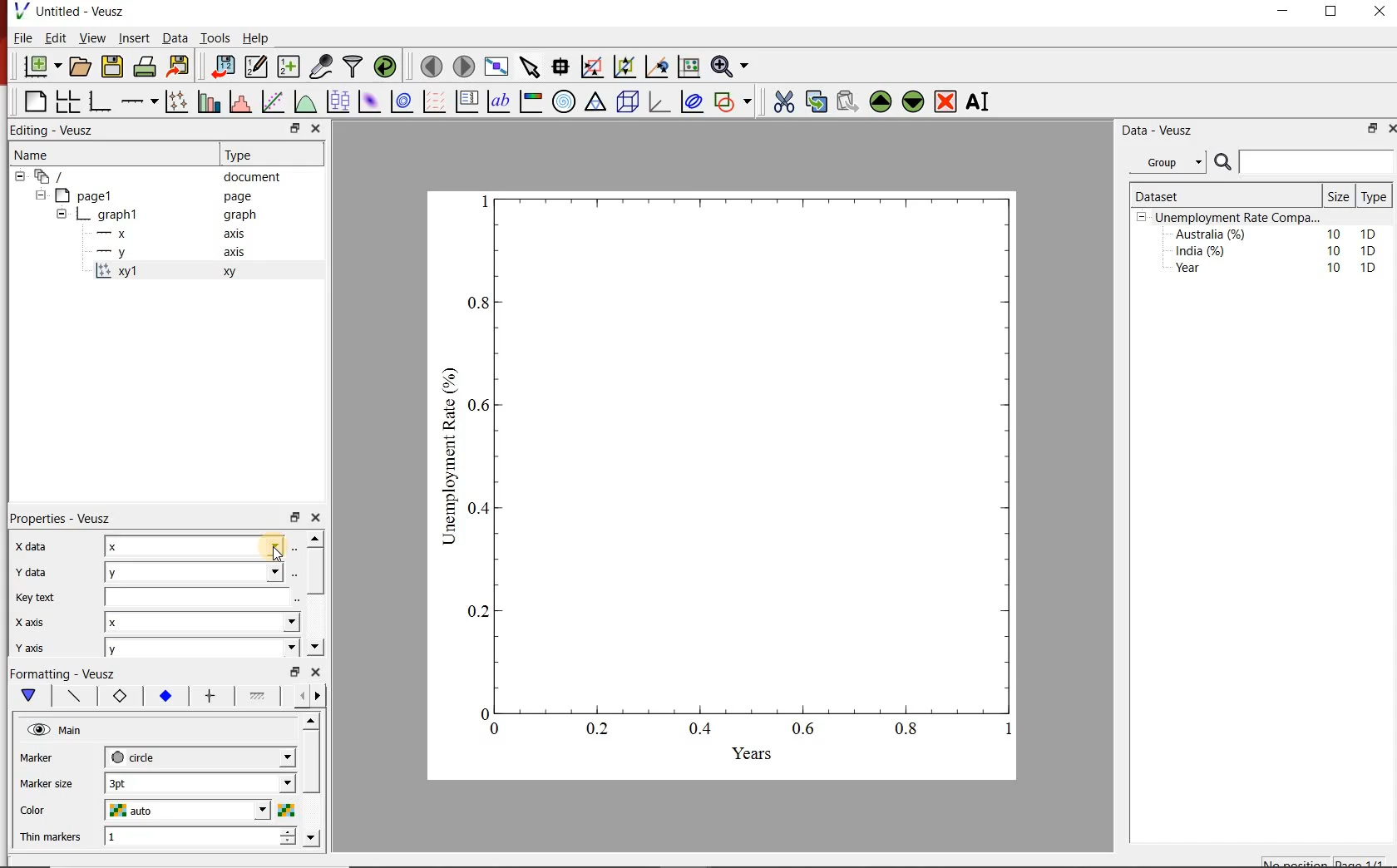 This screenshot has height=868, width=1397. What do you see at coordinates (733, 65) in the screenshot?
I see `zoom funtions` at bounding box center [733, 65].